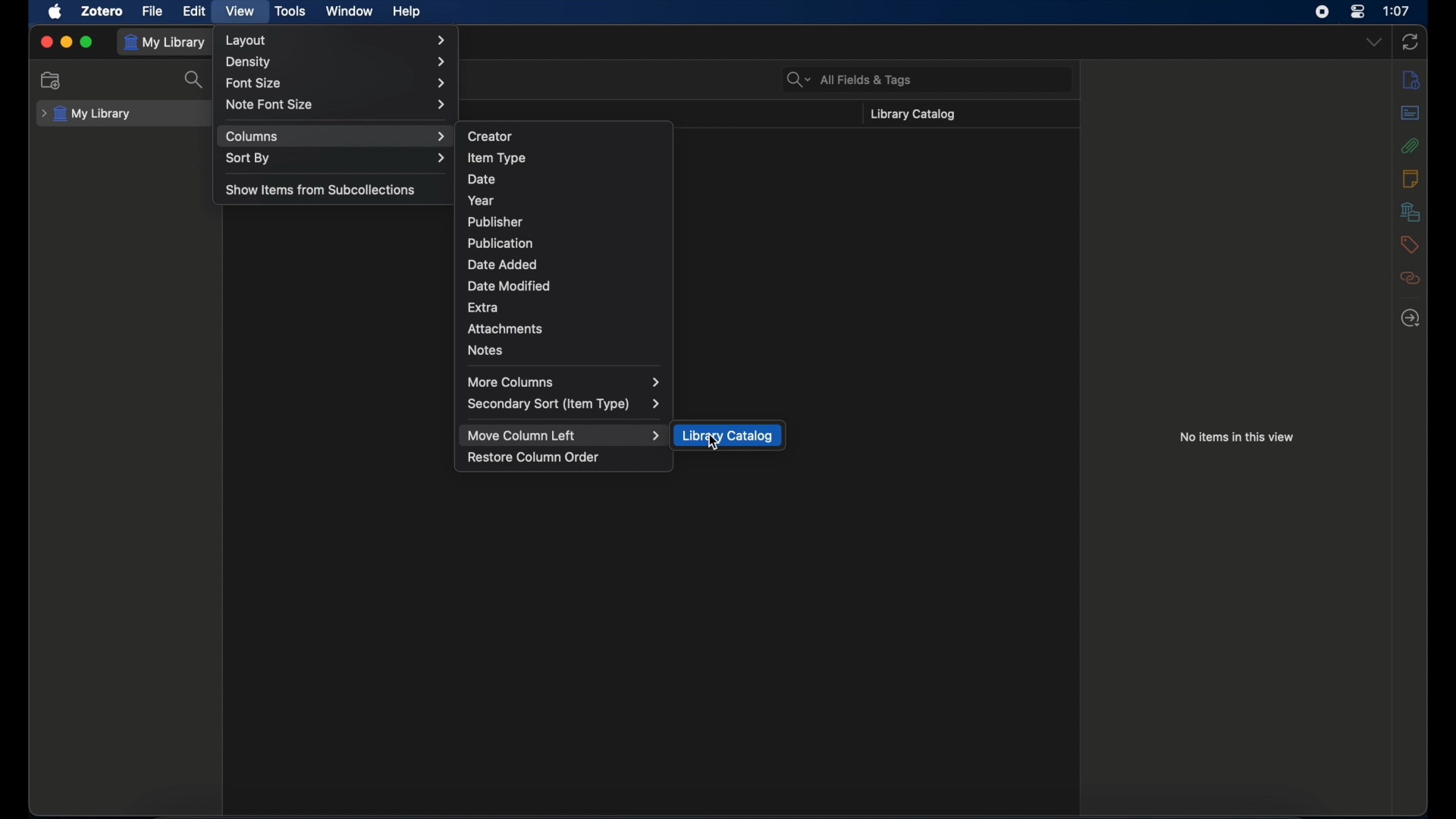 The width and height of the screenshot is (1456, 819). I want to click on show items from subcolelctions, so click(322, 190).